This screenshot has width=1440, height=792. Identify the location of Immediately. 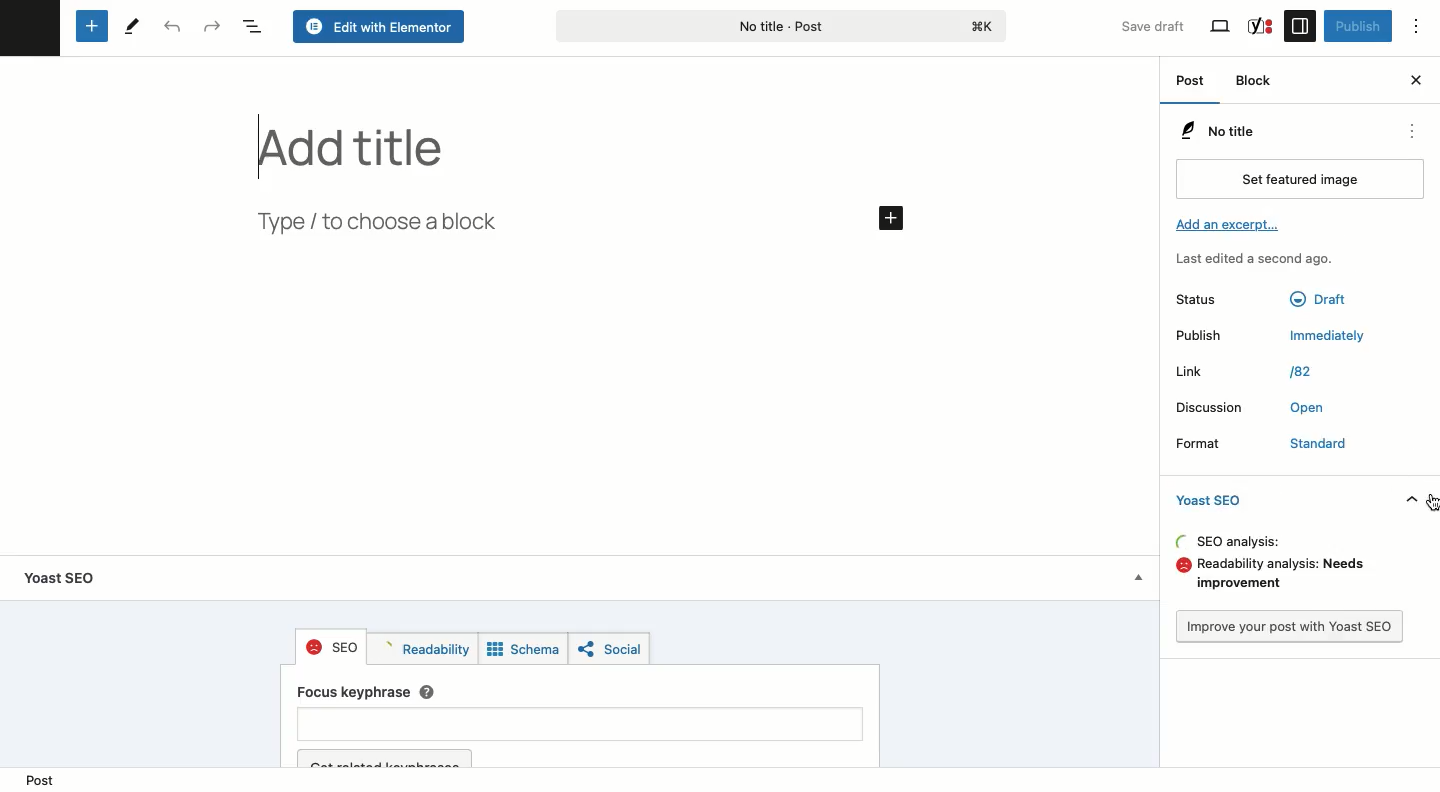
(1331, 338).